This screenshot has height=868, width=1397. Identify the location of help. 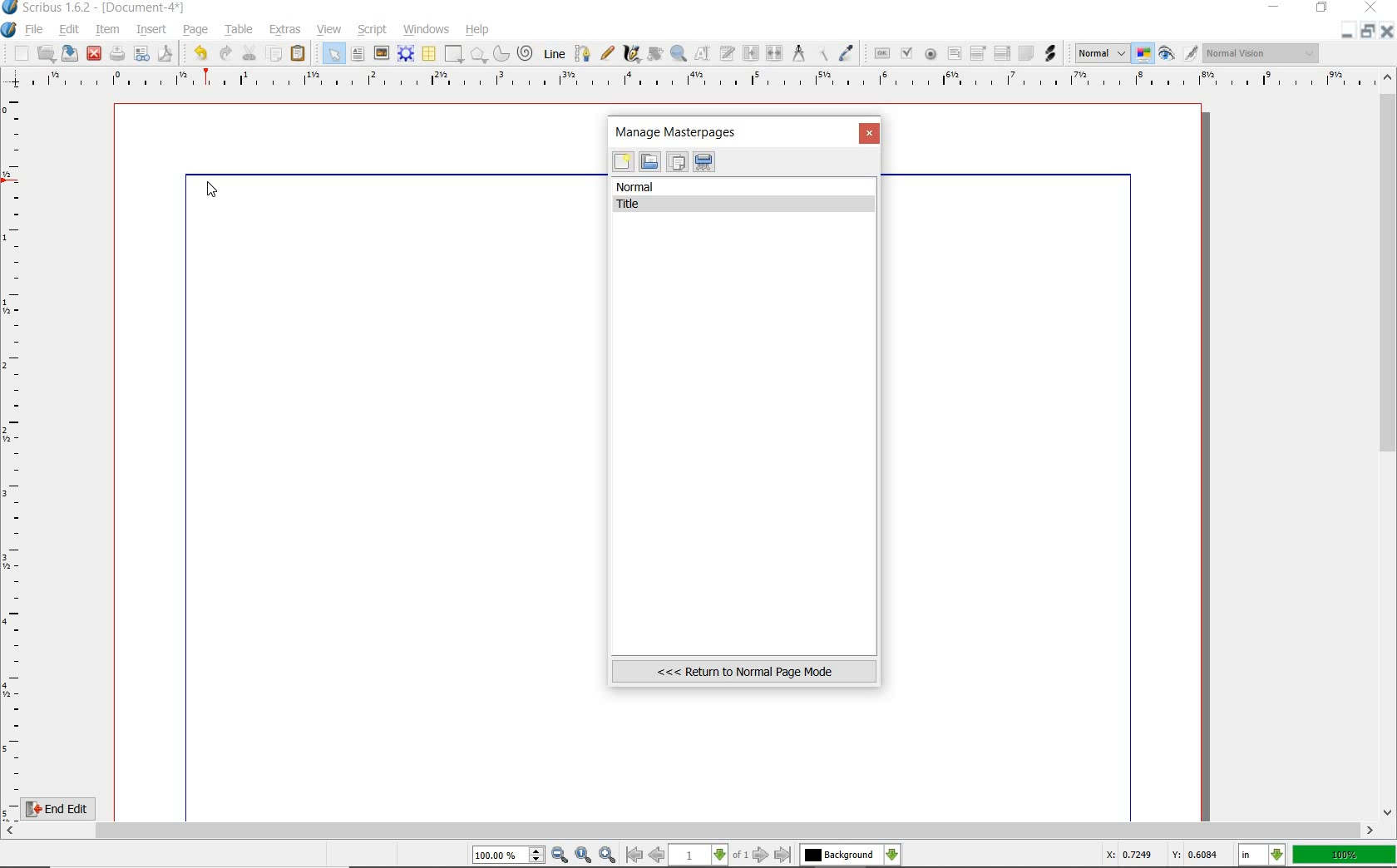
(478, 30).